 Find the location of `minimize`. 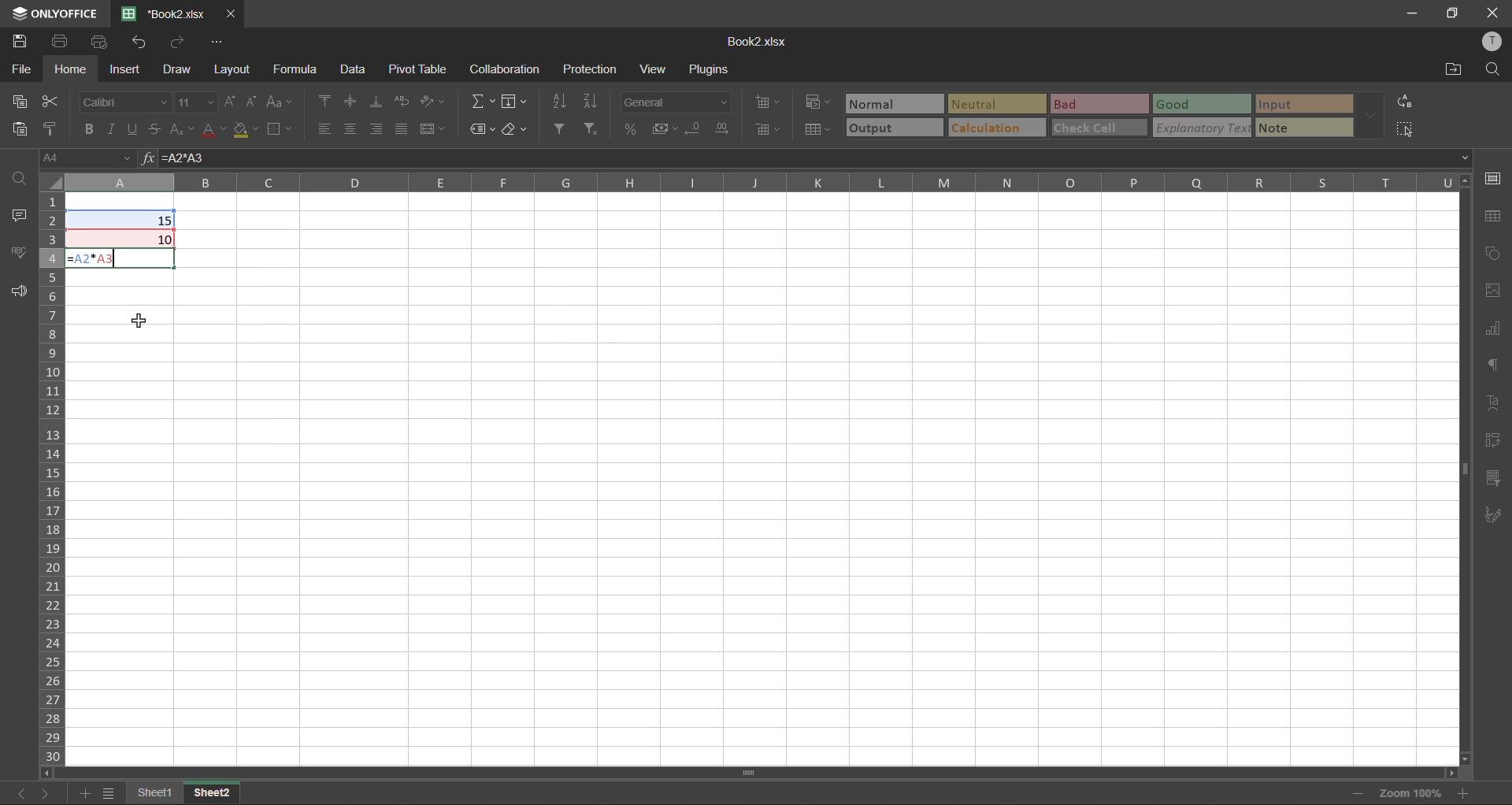

minimize is located at coordinates (1410, 12).